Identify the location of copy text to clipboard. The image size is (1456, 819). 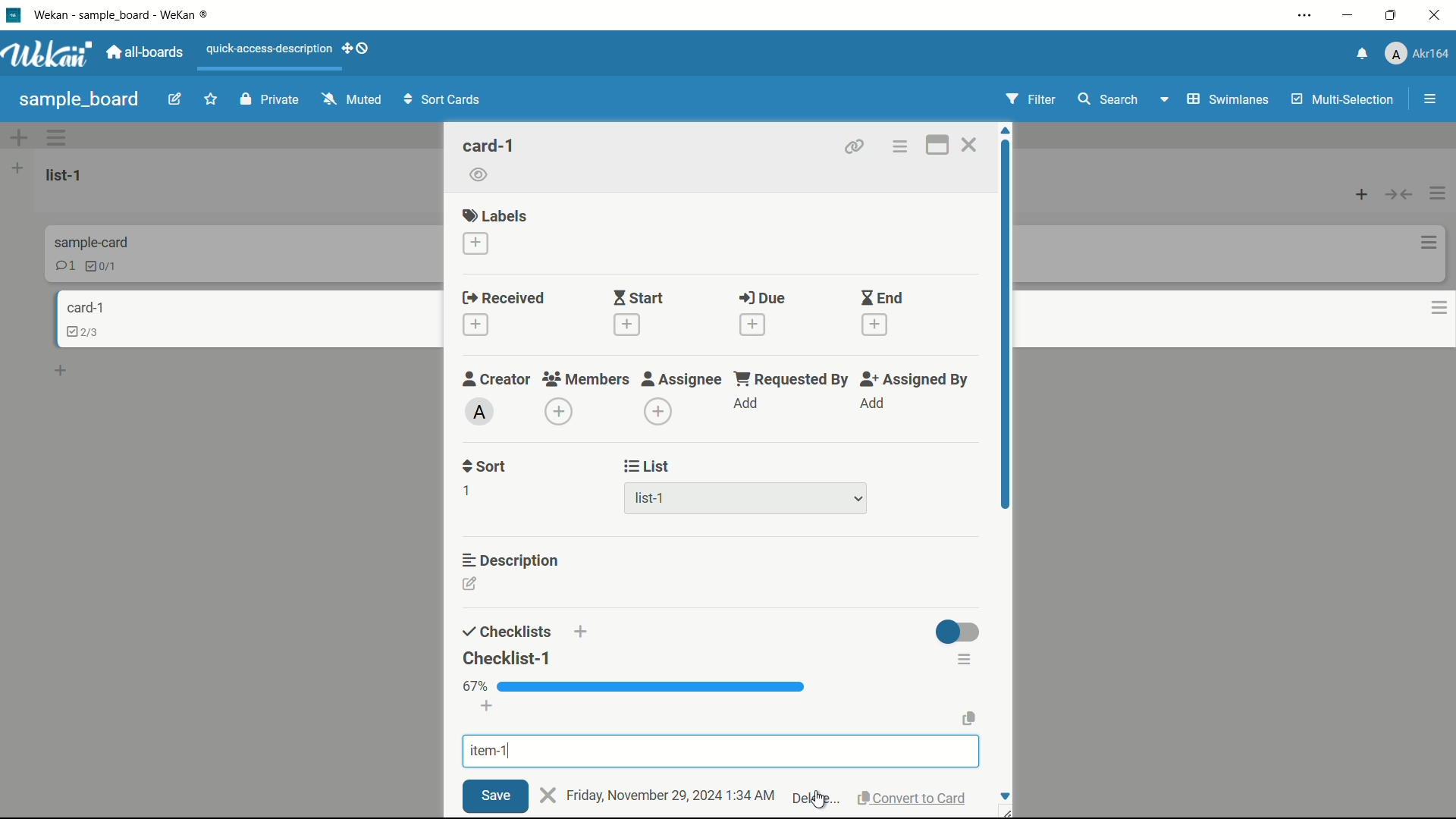
(972, 720).